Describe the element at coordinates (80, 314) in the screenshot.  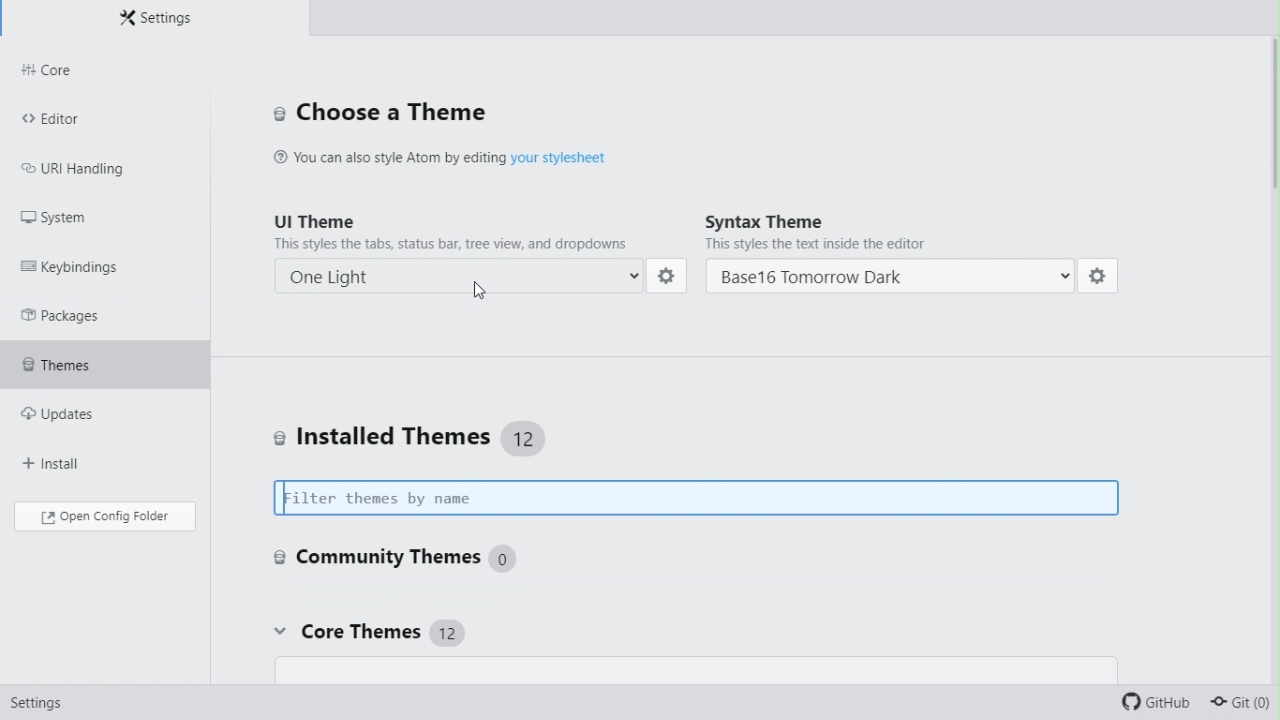
I see `Packages` at that location.